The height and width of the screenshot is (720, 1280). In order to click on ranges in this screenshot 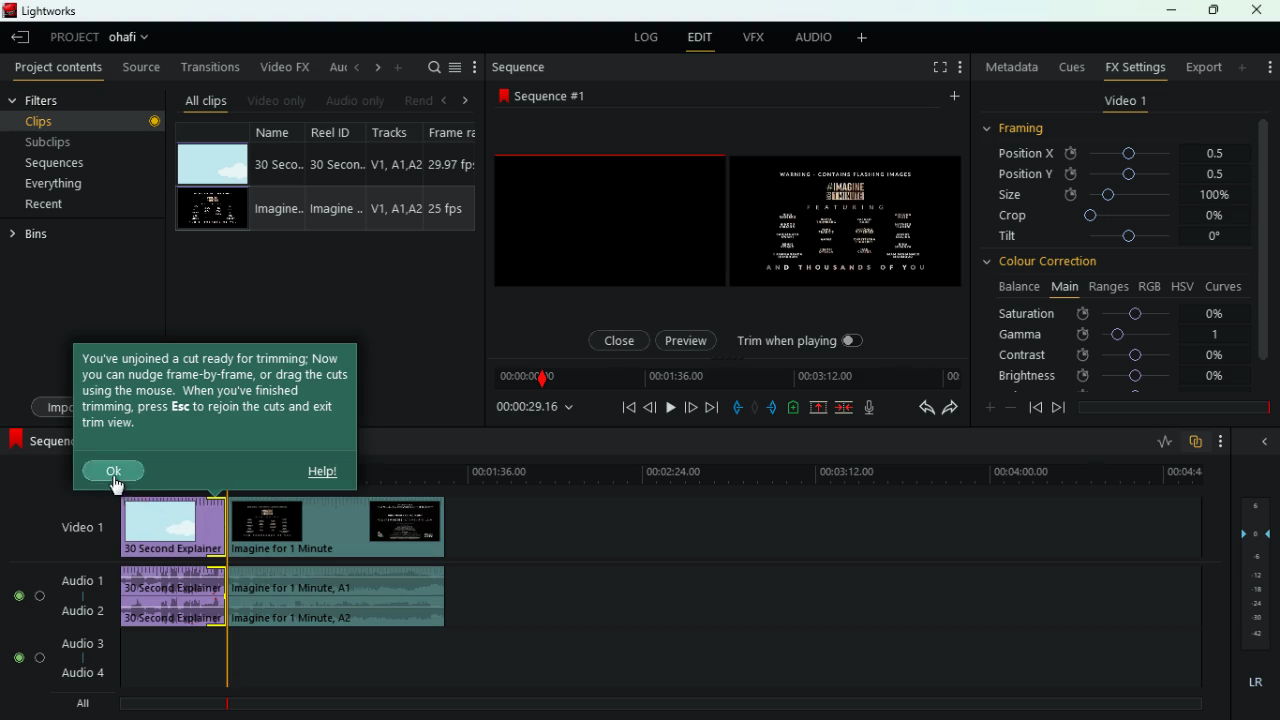, I will do `click(1108, 286)`.